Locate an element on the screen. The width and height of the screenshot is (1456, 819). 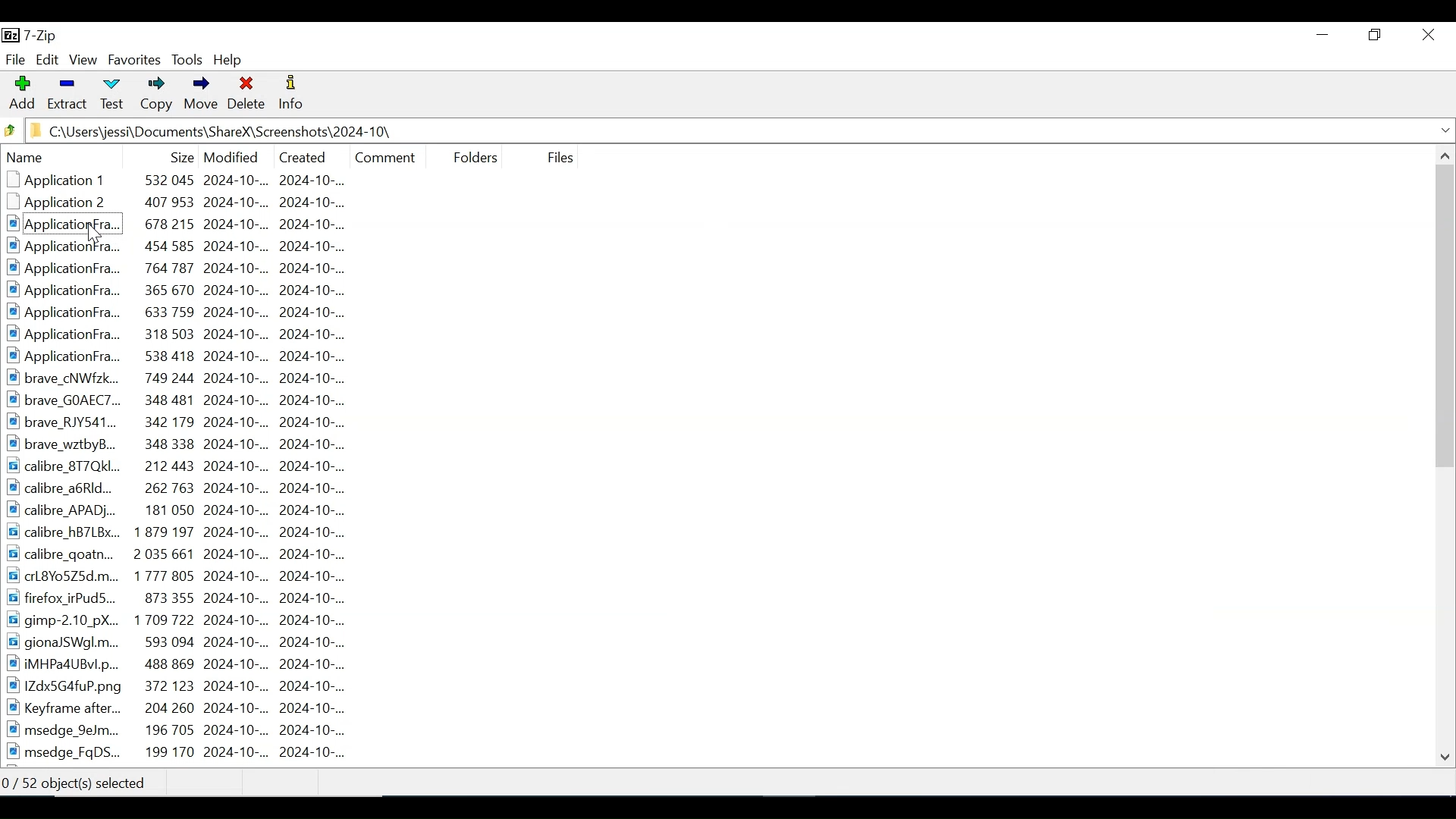
ApplicationFra.. 538 418 2024-10-.. 2024-10-... is located at coordinates (189, 356).